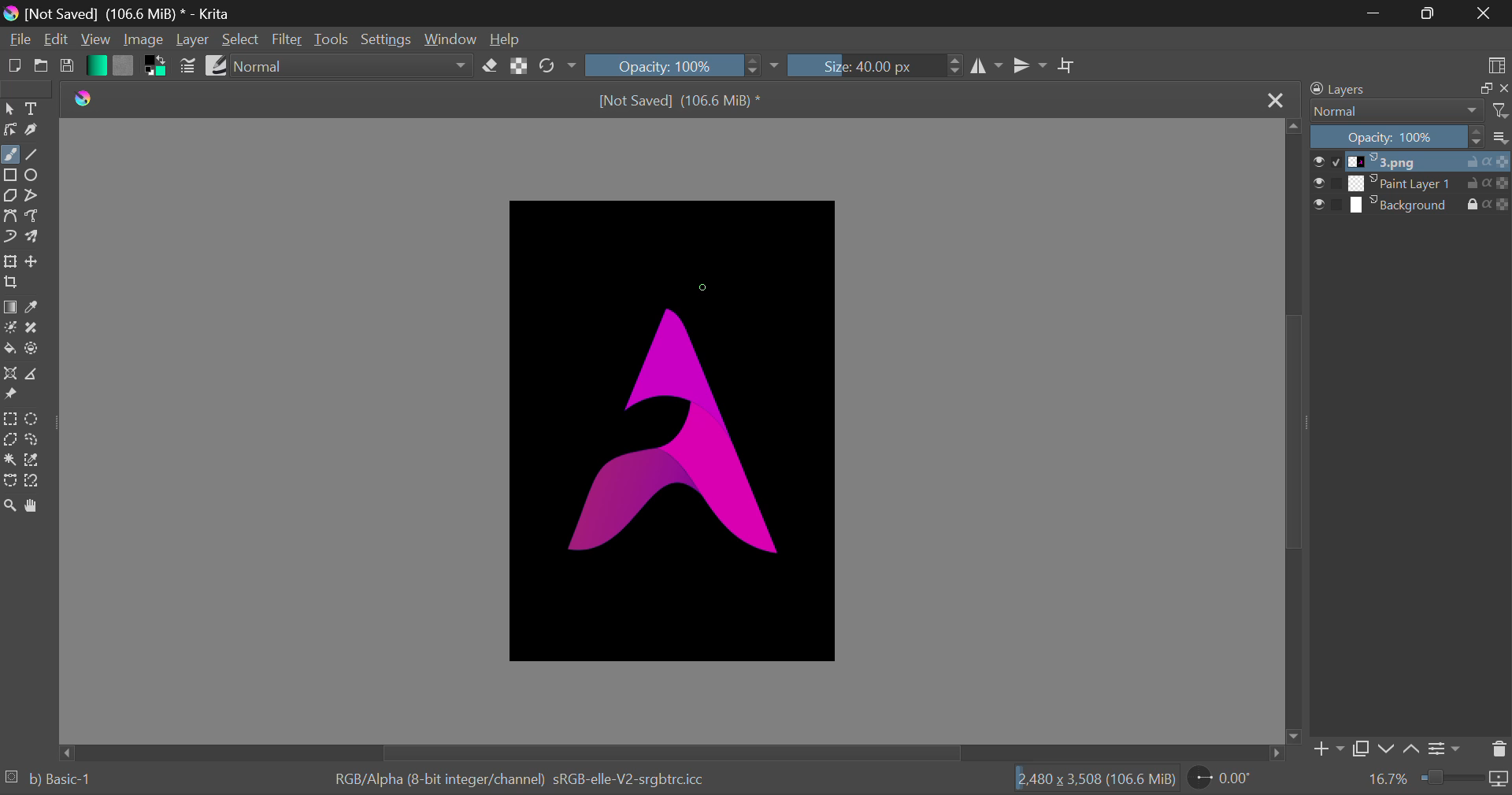 The image size is (1512, 795). What do you see at coordinates (1503, 87) in the screenshot?
I see `close` at bounding box center [1503, 87].